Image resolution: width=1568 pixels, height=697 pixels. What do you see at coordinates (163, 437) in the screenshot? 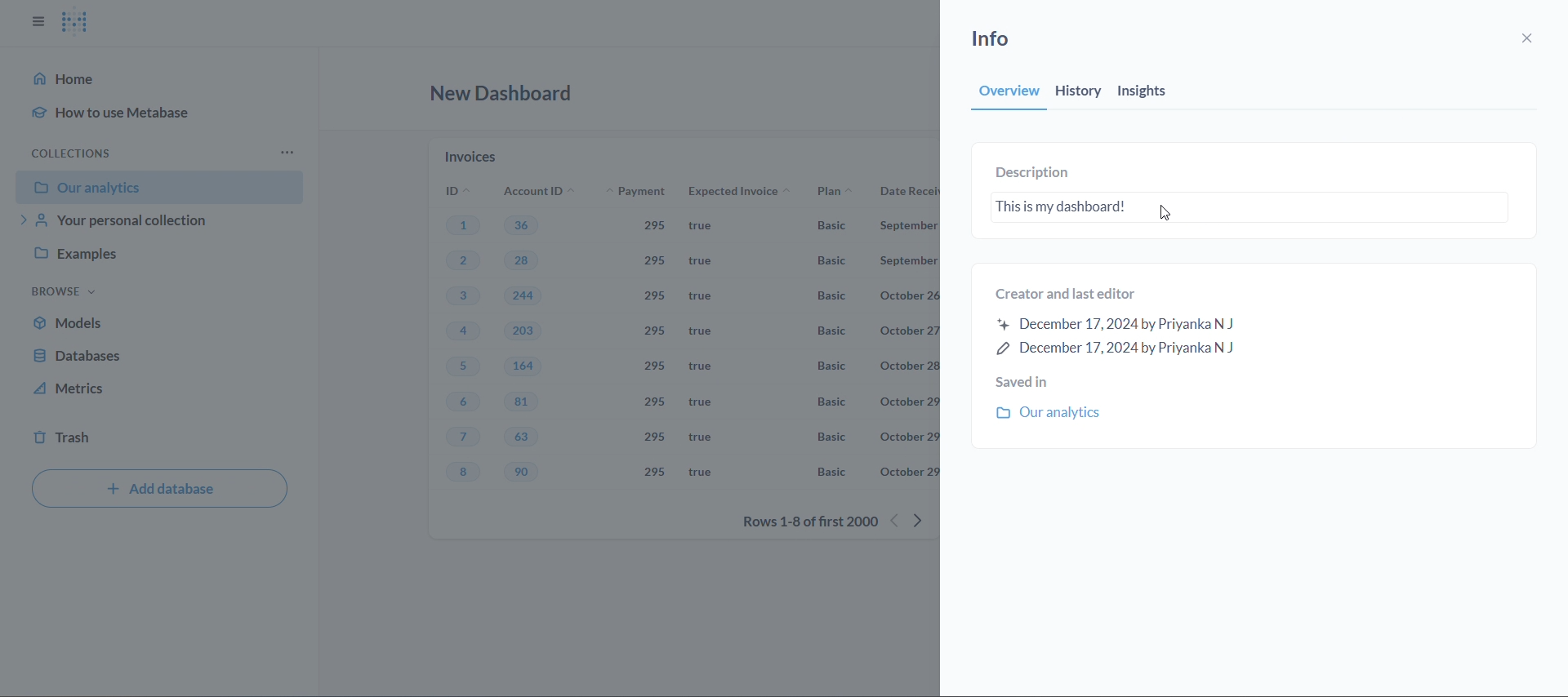
I see `trash` at bounding box center [163, 437].